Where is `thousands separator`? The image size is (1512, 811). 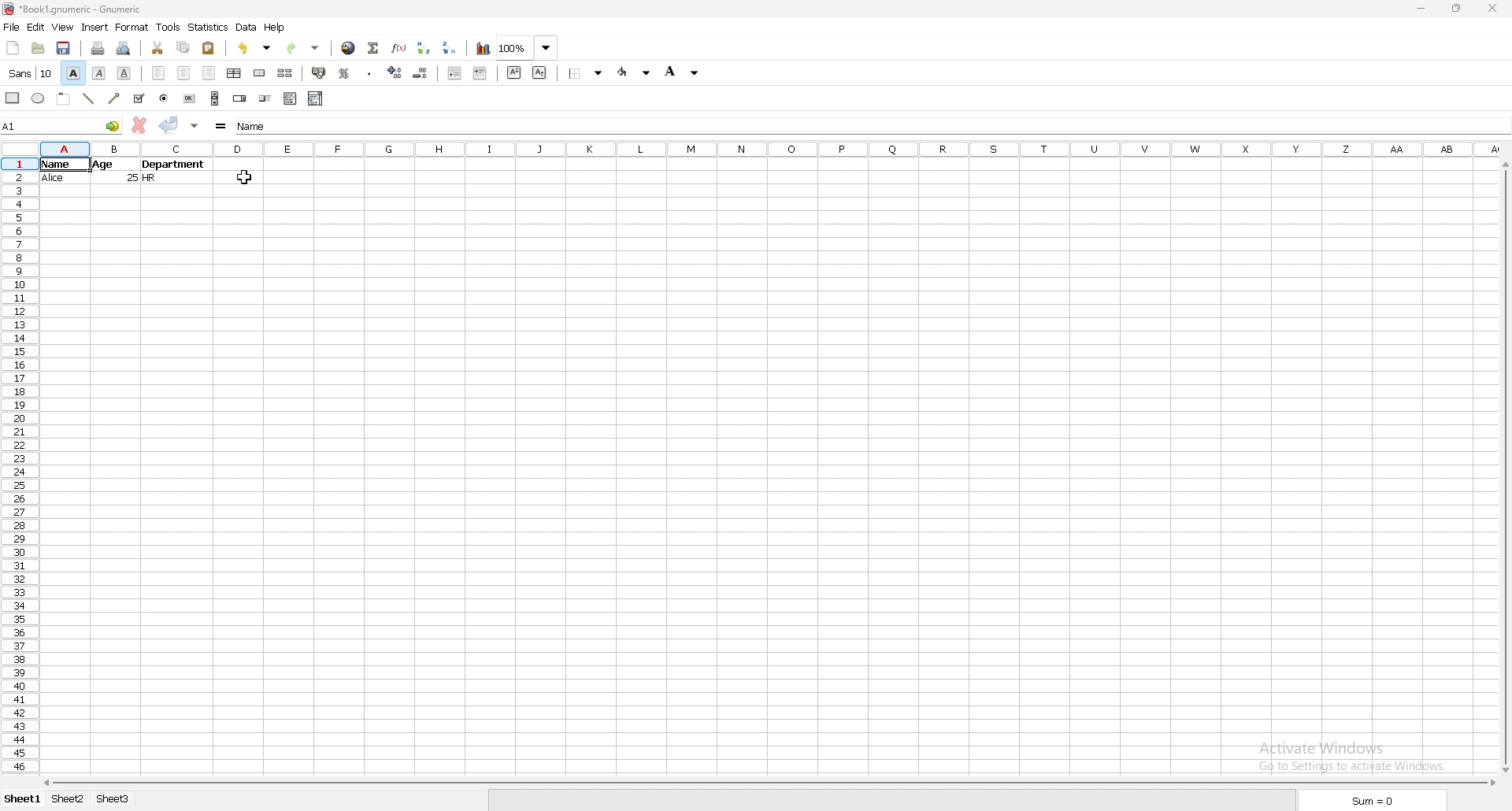 thousands separator is located at coordinates (370, 72).